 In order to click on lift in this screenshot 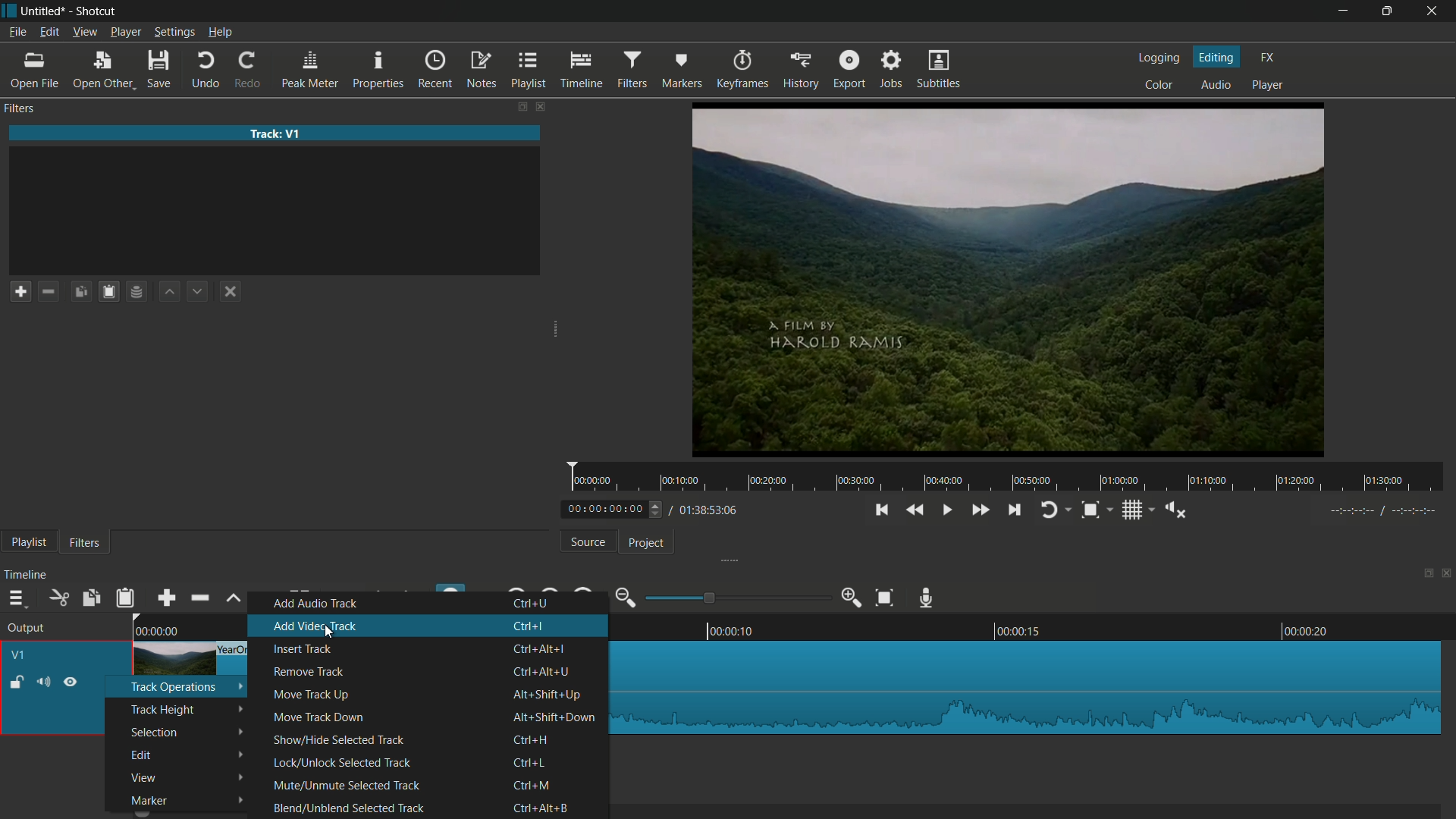, I will do `click(234, 597)`.